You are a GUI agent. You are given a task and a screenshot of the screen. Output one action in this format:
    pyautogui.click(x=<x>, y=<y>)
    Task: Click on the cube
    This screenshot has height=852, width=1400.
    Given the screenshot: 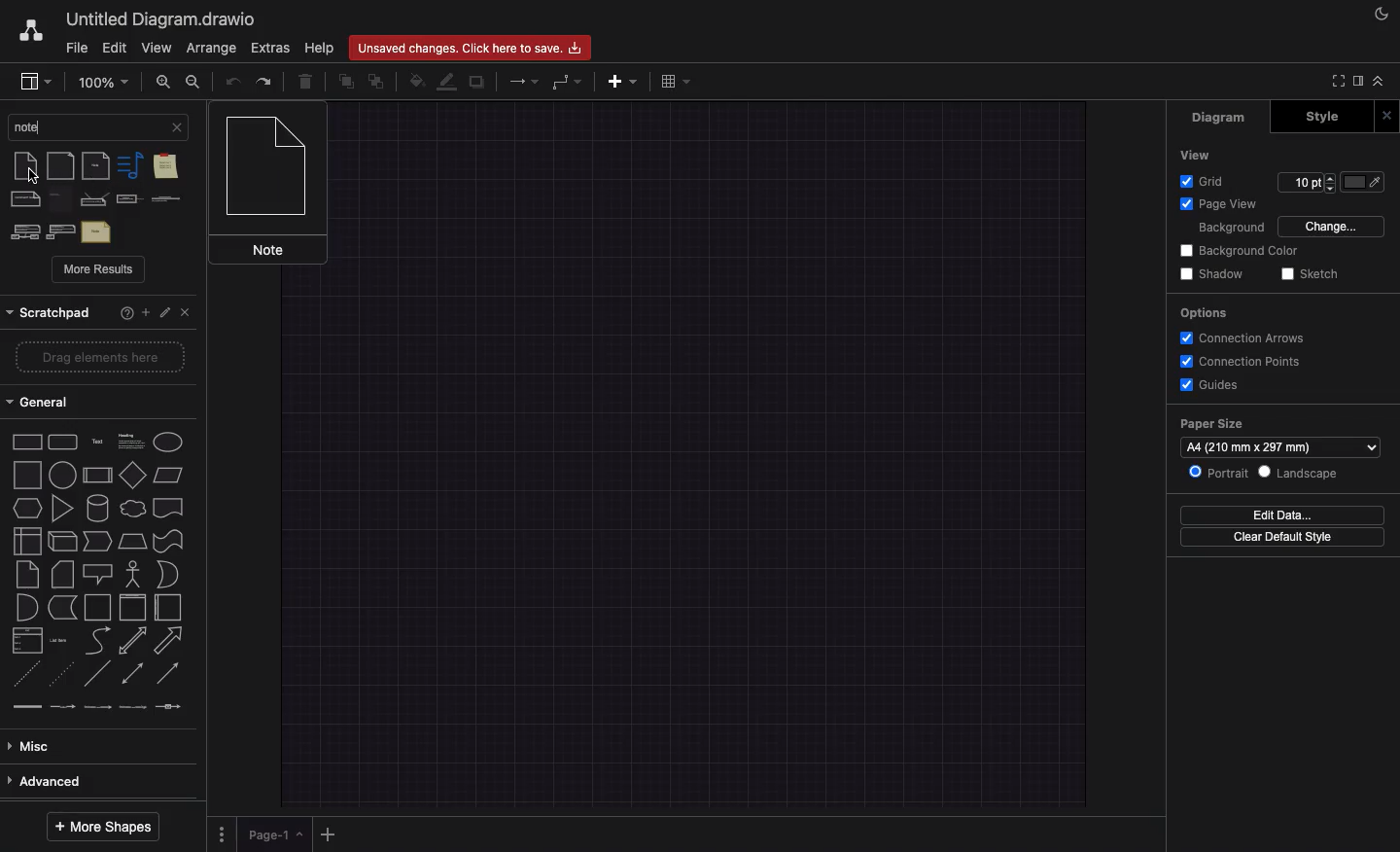 What is the action you would take?
    pyautogui.click(x=62, y=542)
    